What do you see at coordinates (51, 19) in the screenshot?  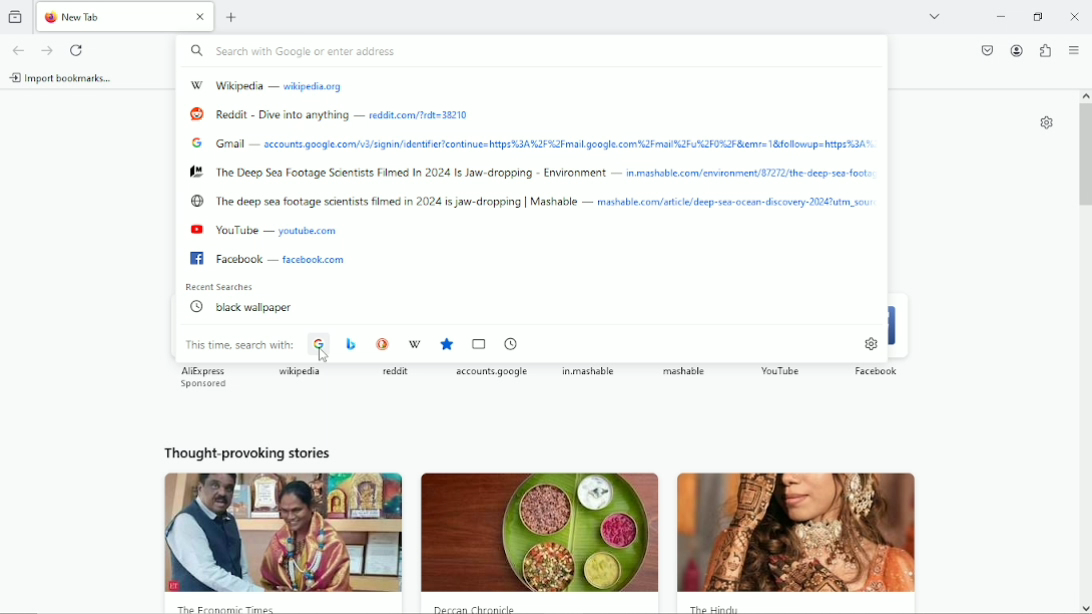 I see `fire fox logo` at bounding box center [51, 19].